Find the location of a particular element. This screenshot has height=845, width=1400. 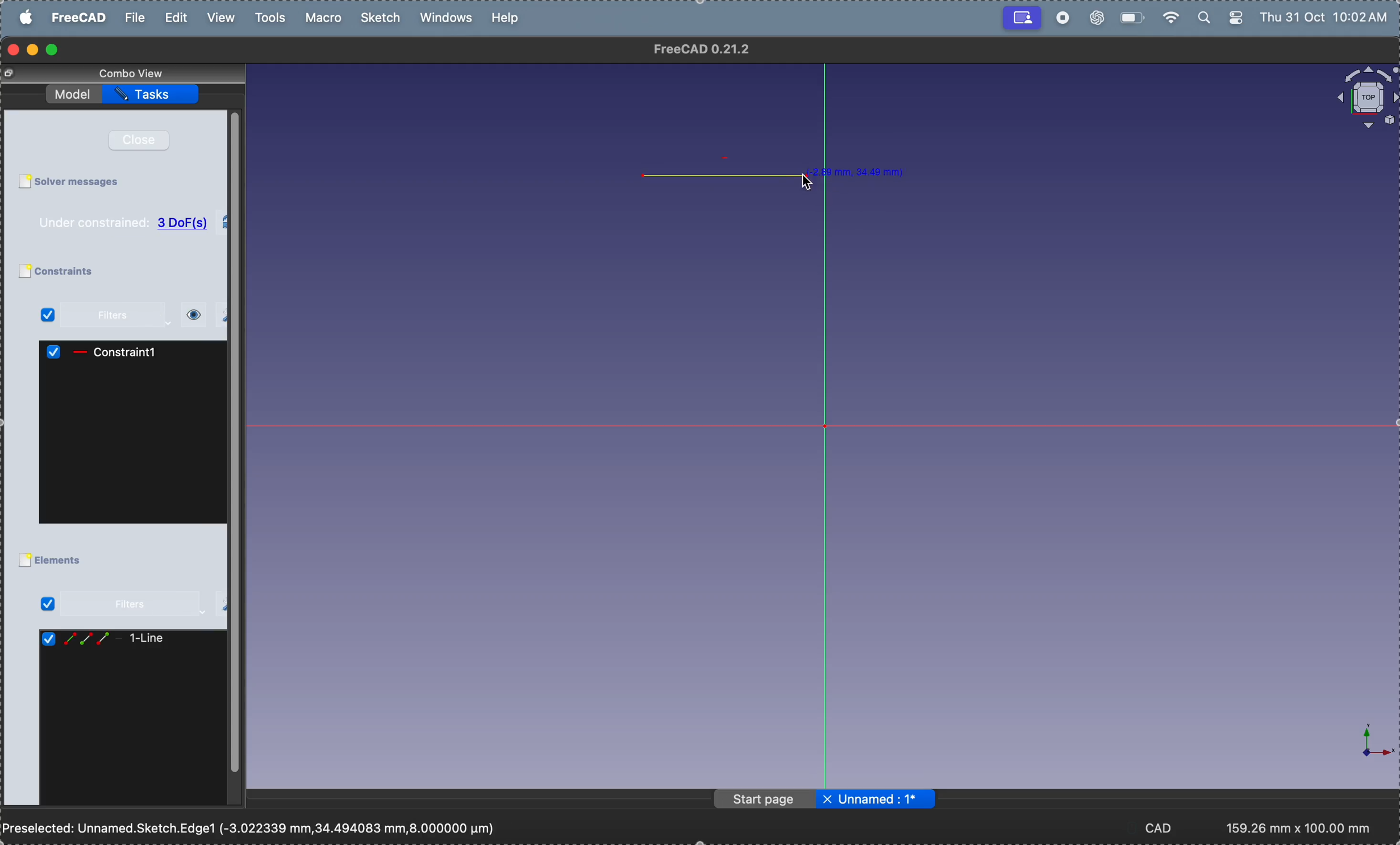

cursor is located at coordinates (806, 183).